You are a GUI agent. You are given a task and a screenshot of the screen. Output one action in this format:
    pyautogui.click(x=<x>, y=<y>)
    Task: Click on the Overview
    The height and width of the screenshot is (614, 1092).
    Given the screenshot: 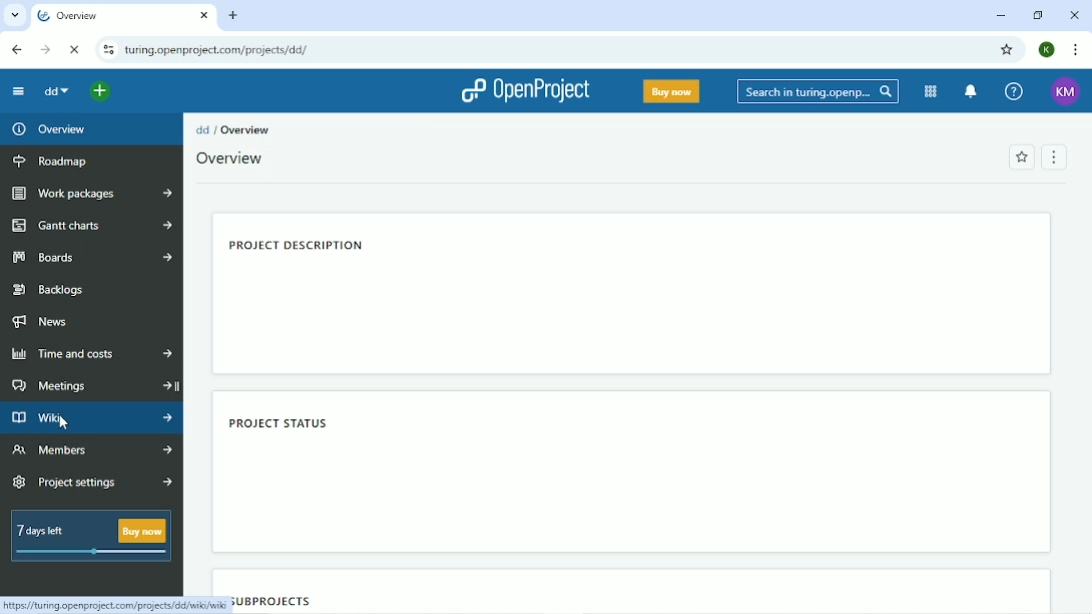 What is the action you would take?
    pyautogui.click(x=110, y=15)
    